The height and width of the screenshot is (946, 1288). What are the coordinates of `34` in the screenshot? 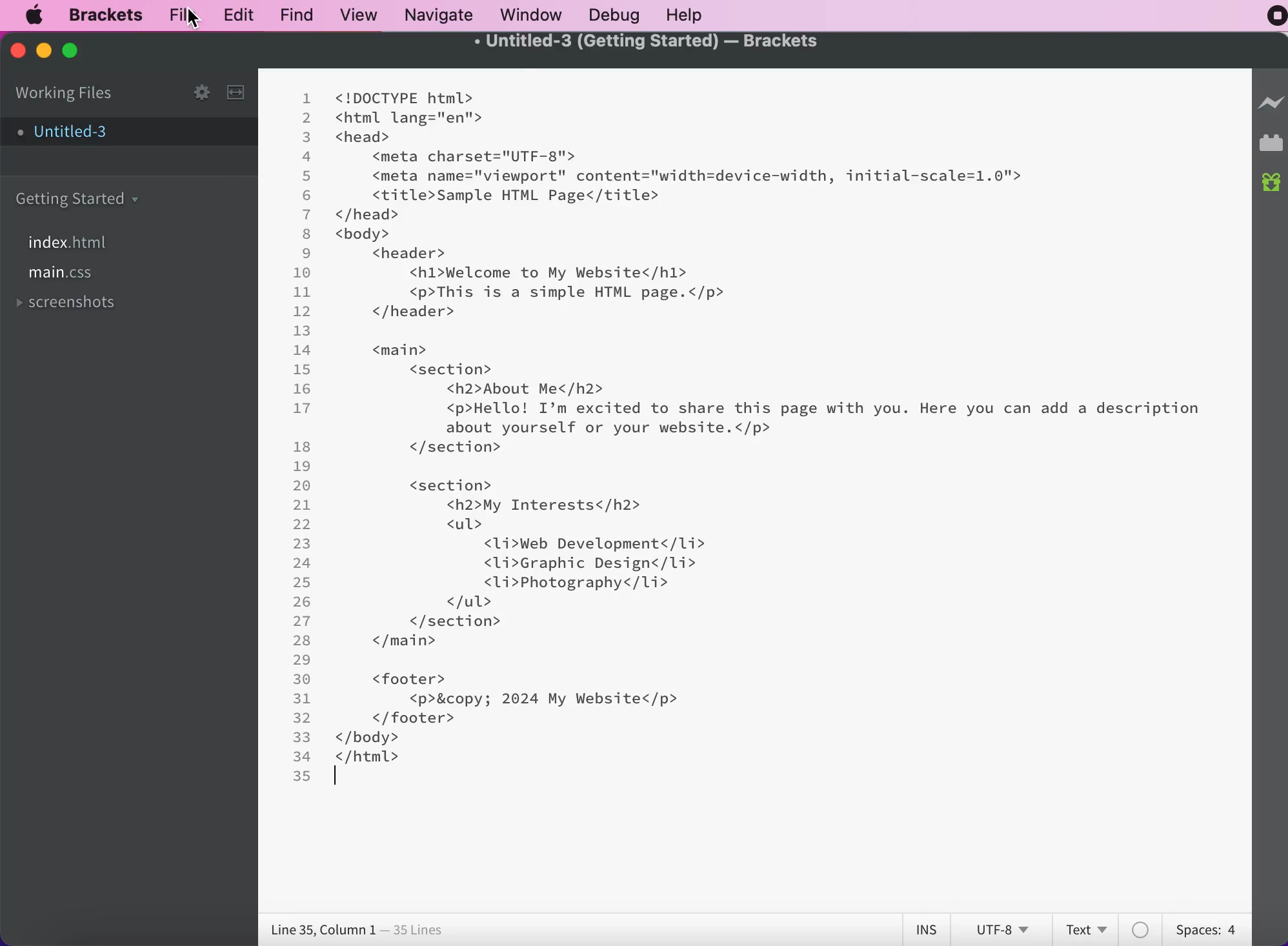 It's located at (303, 757).